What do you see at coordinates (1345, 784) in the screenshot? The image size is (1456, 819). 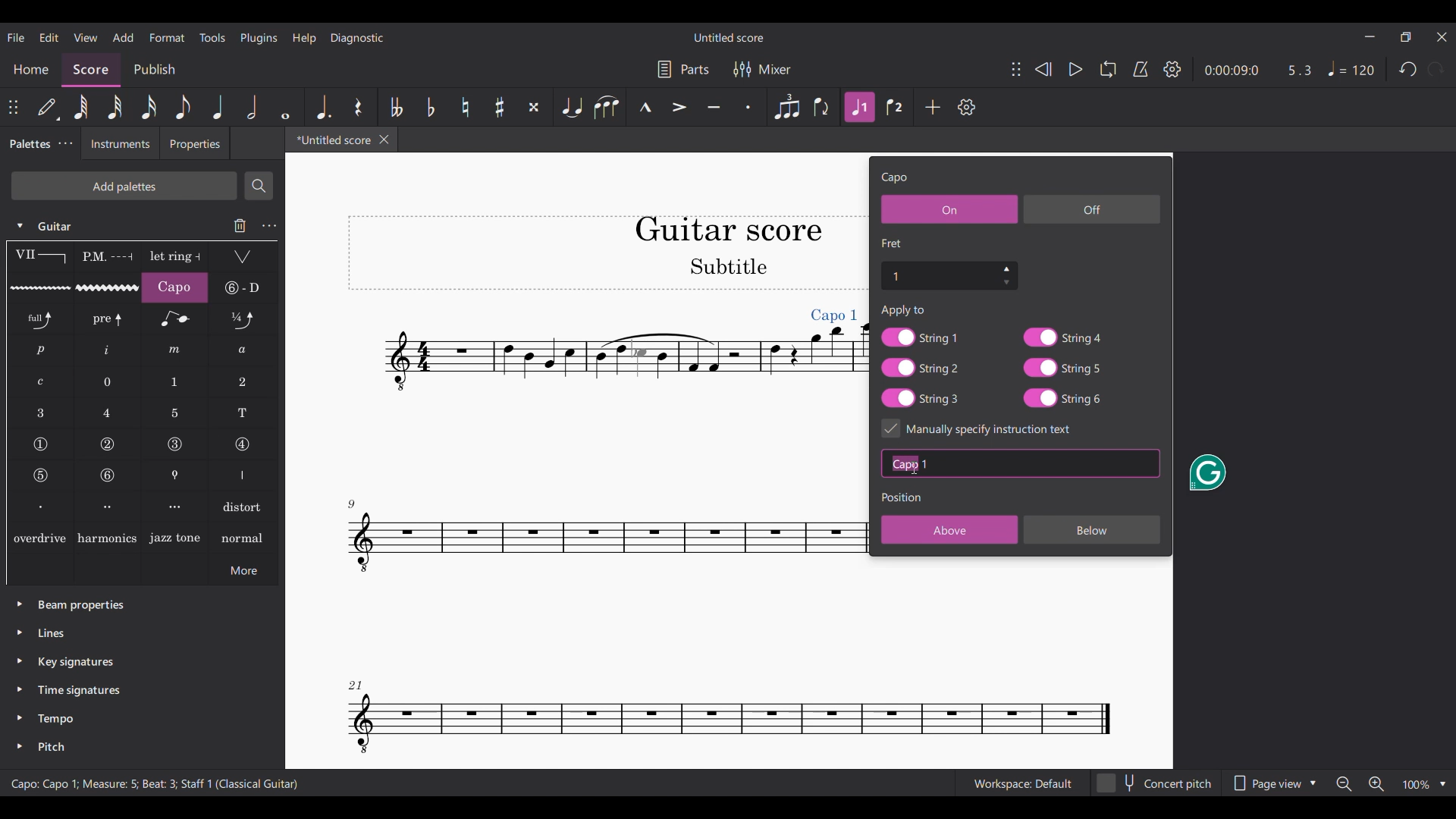 I see `Zoom out` at bounding box center [1345, 784].